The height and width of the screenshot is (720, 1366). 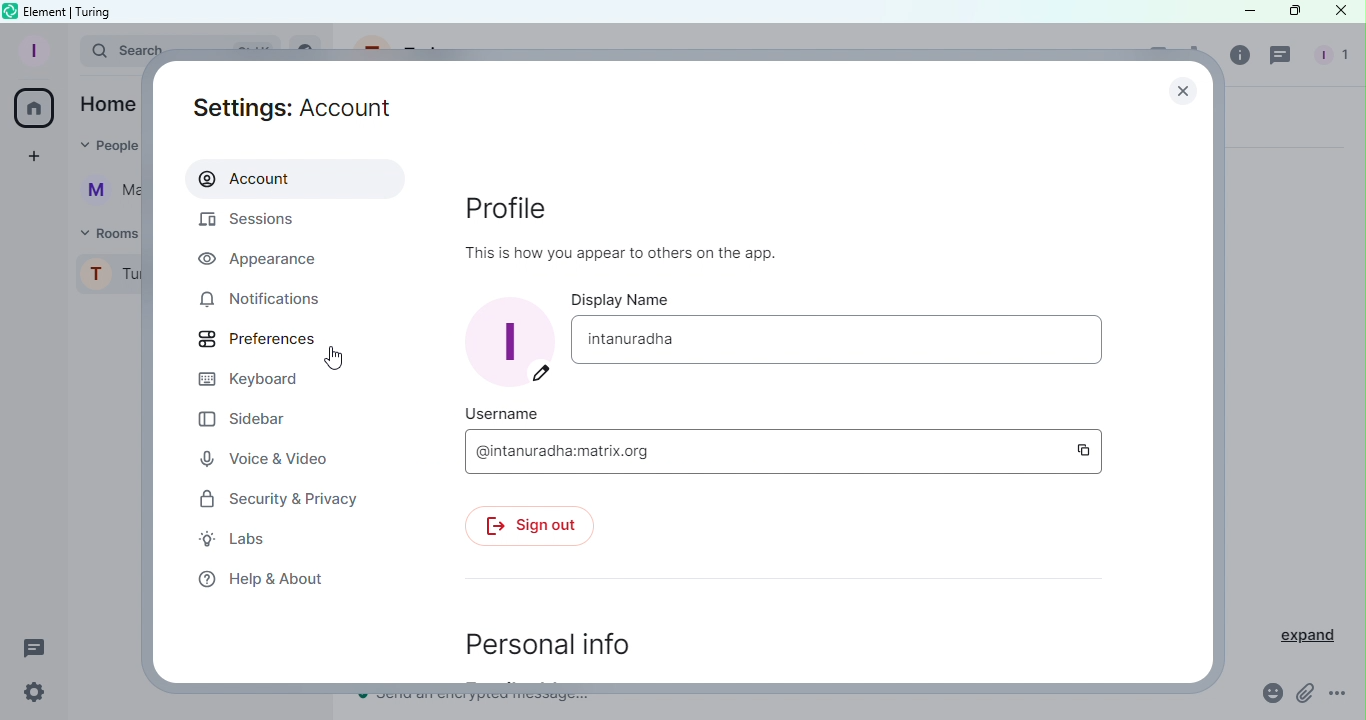 I want to click on Turing, so click(x=109, y=279).